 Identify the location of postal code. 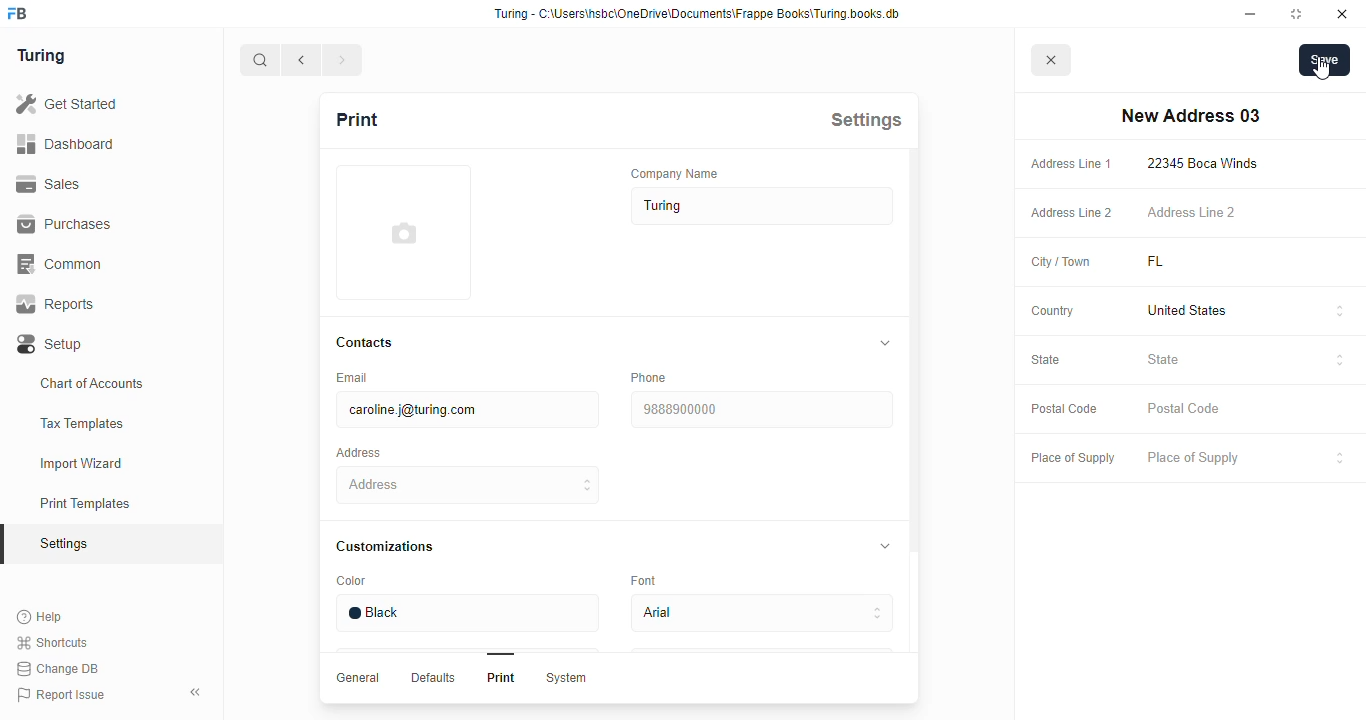
(1063, 409).